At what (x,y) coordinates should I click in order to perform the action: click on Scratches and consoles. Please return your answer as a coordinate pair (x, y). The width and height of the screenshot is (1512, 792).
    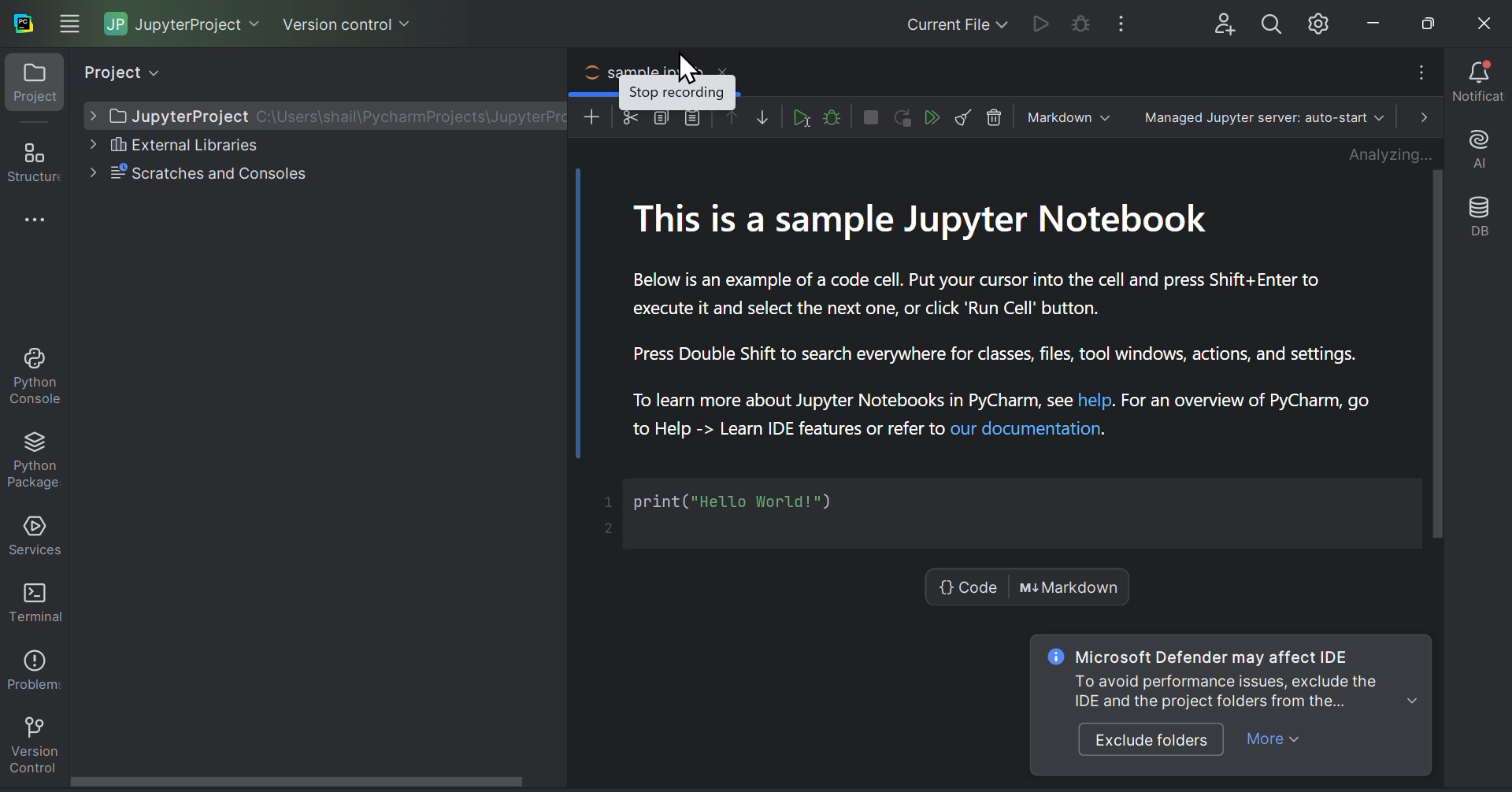
    Looking at the image, I should click on (198, 174).